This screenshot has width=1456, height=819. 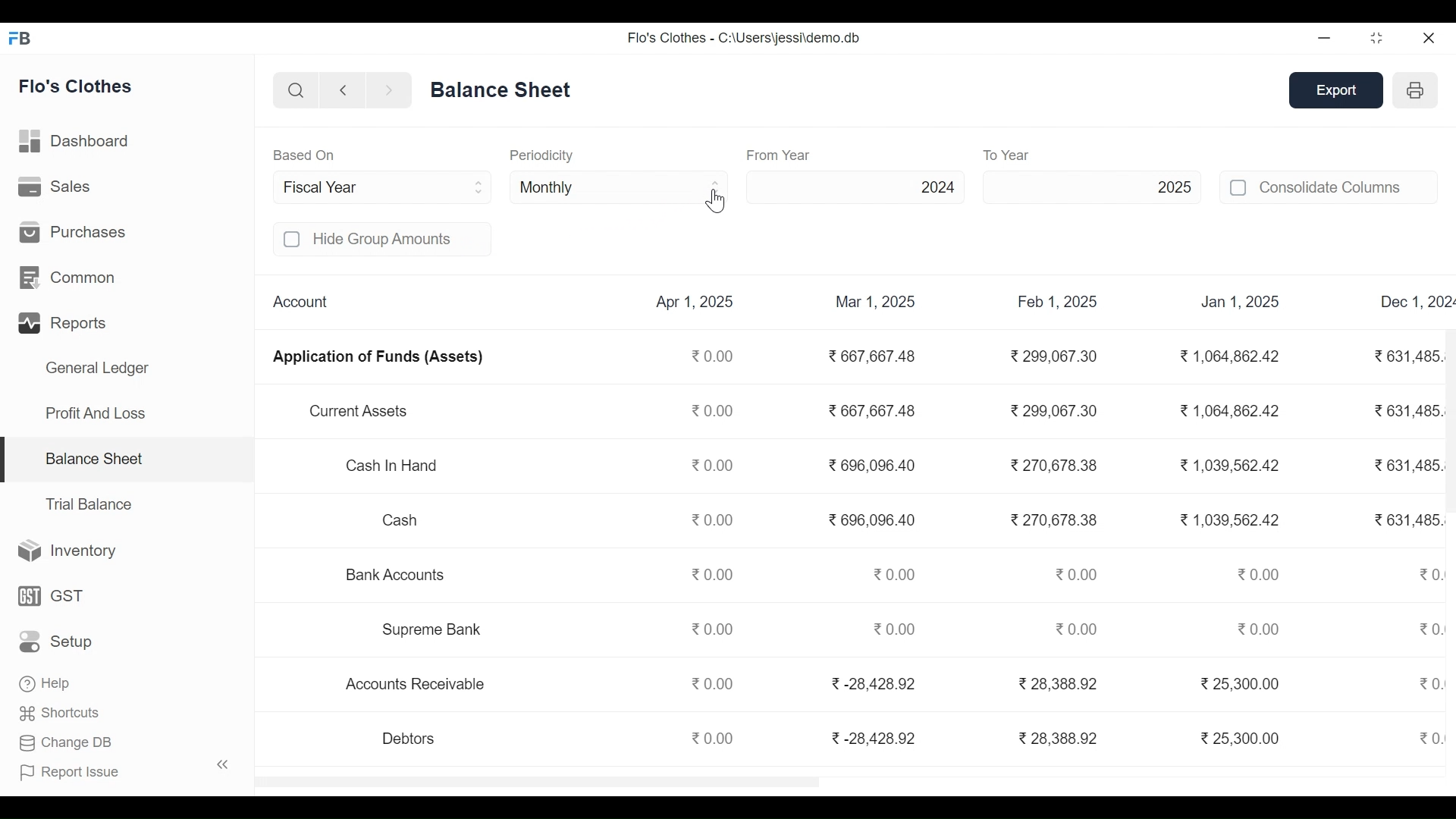 I want to click on fiscal year, so click(x=385, y=187).